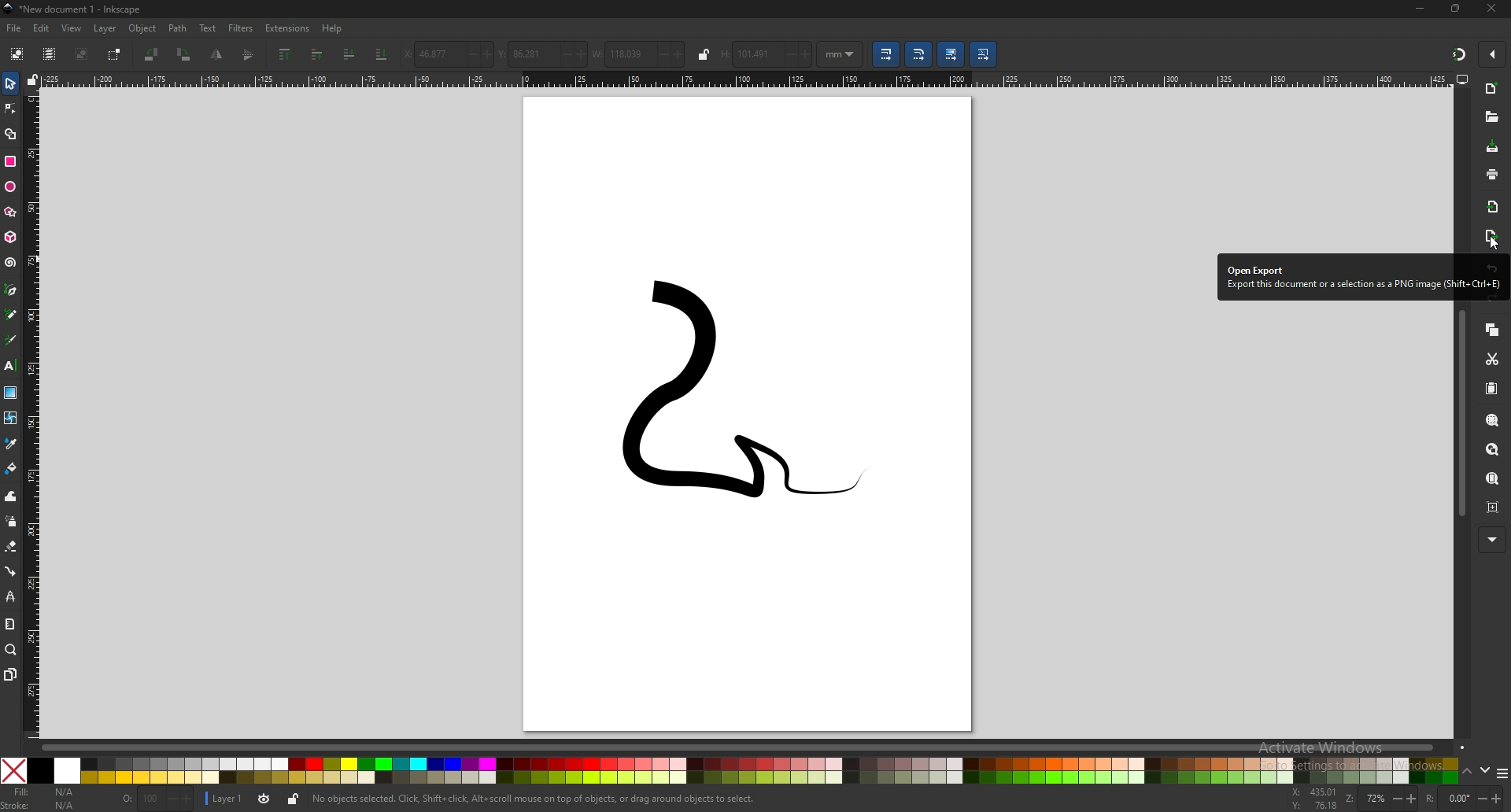 The width and height of the screenshot is (1511, 812). Describe the element at coordinates (49, 54) in the screenshot. I see `select all in all layers` at that location.